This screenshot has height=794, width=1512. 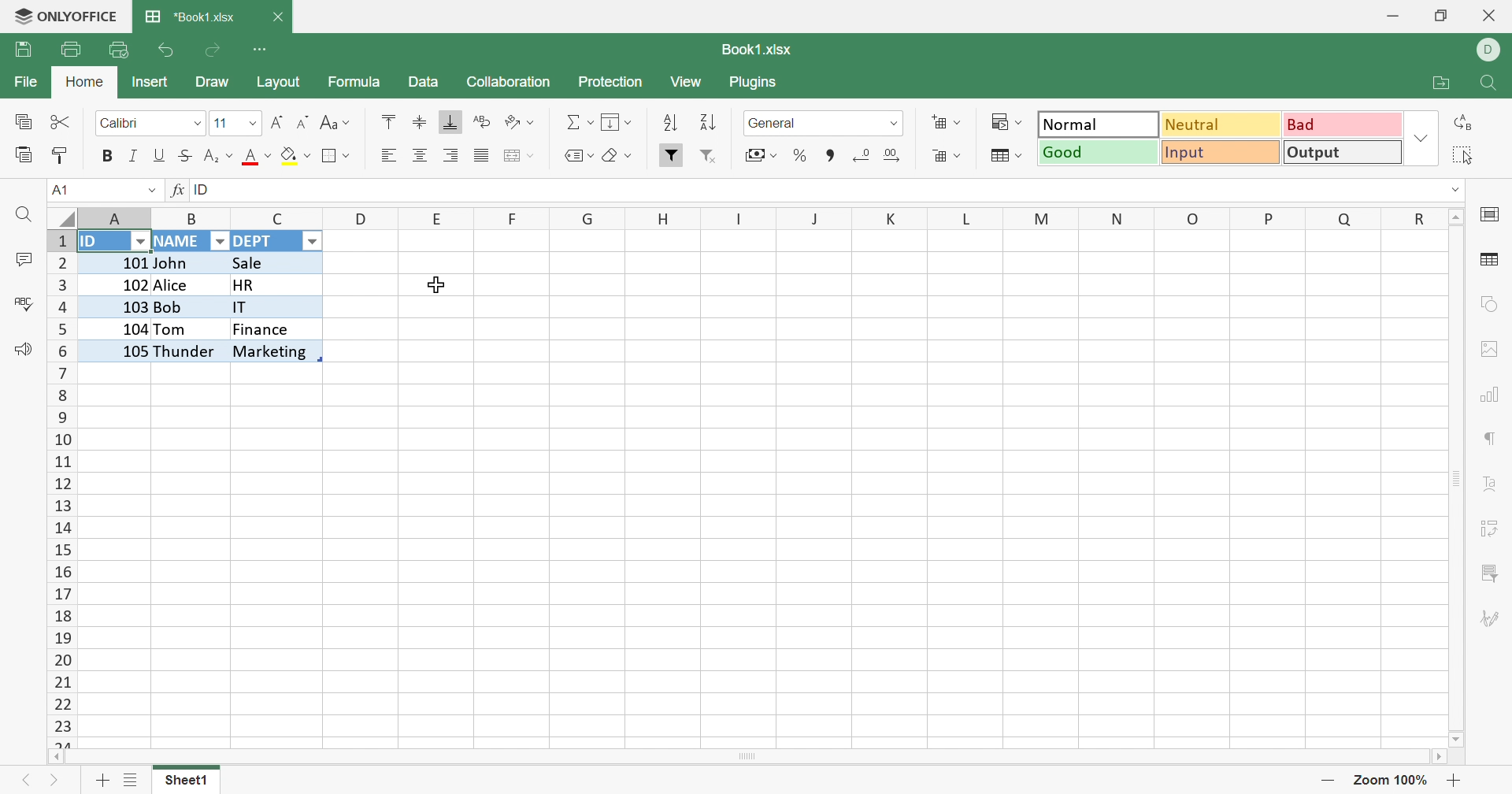 What do you see at coordinates (257, 262) in the screenshot?
I see `Sale` at bounding box center [257, 262].